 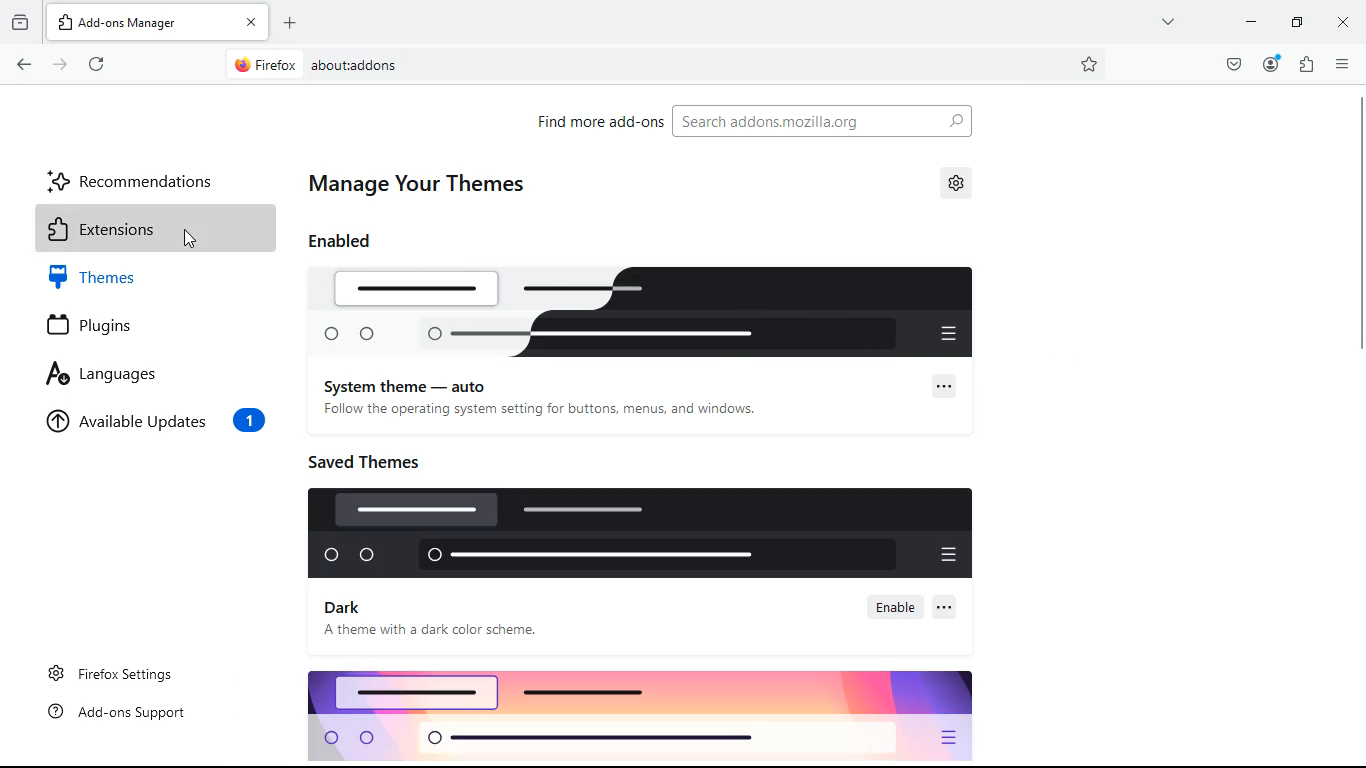 I want to click on recommendations, so click(x=138, y=176).